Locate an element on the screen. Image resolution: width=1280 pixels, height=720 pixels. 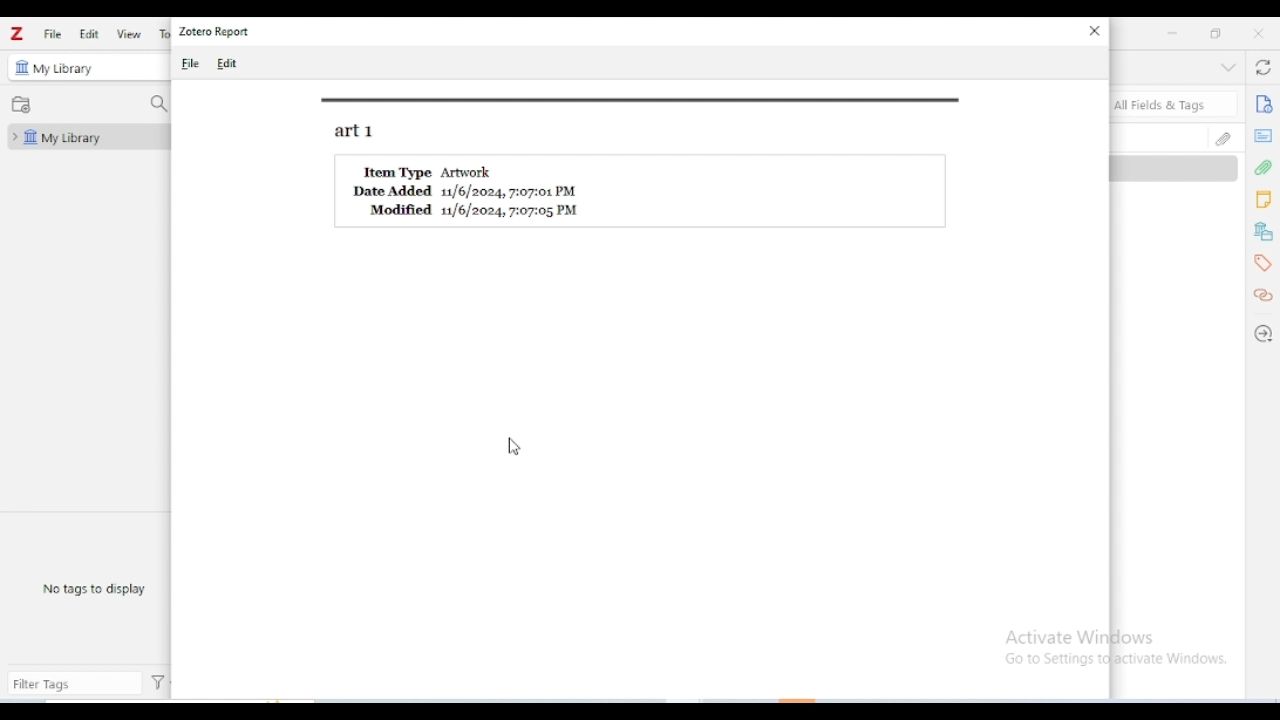
logo is located at coordinates (17, 34).